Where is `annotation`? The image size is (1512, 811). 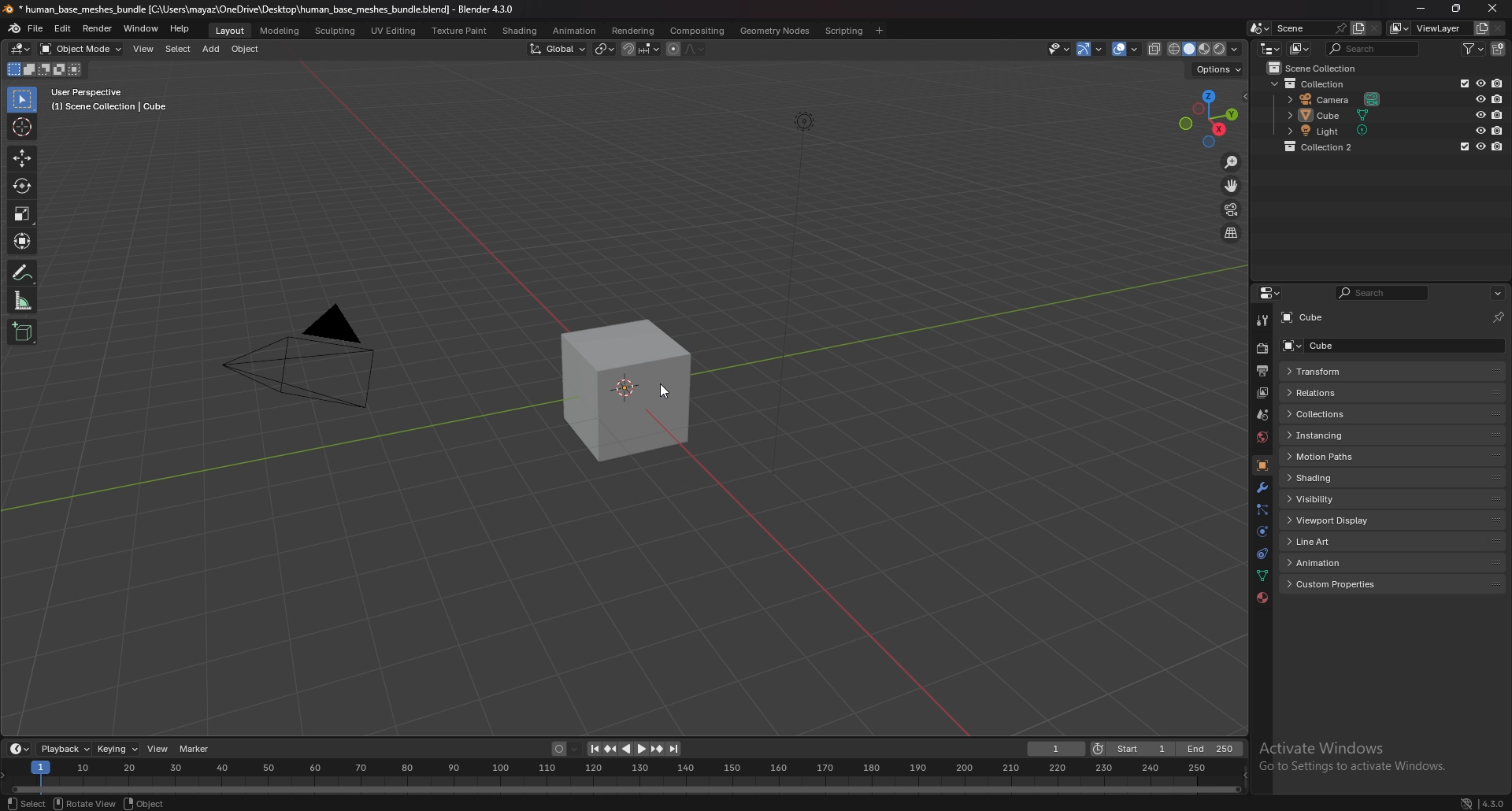 annotation is located at coordinates (24, 272).